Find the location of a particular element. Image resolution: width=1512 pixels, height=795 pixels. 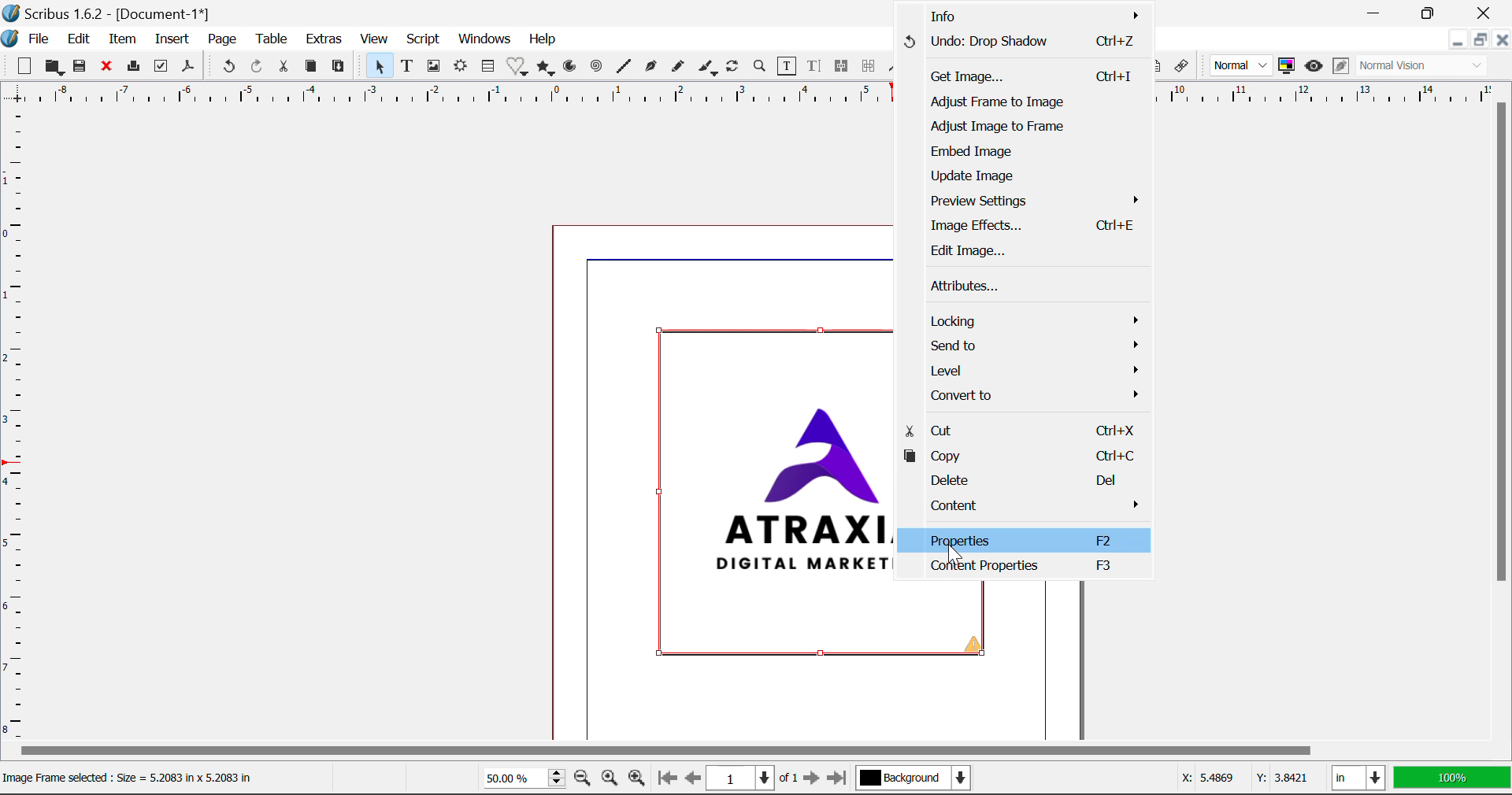

Edit in preview mode is located at coordinates (1341, 68).